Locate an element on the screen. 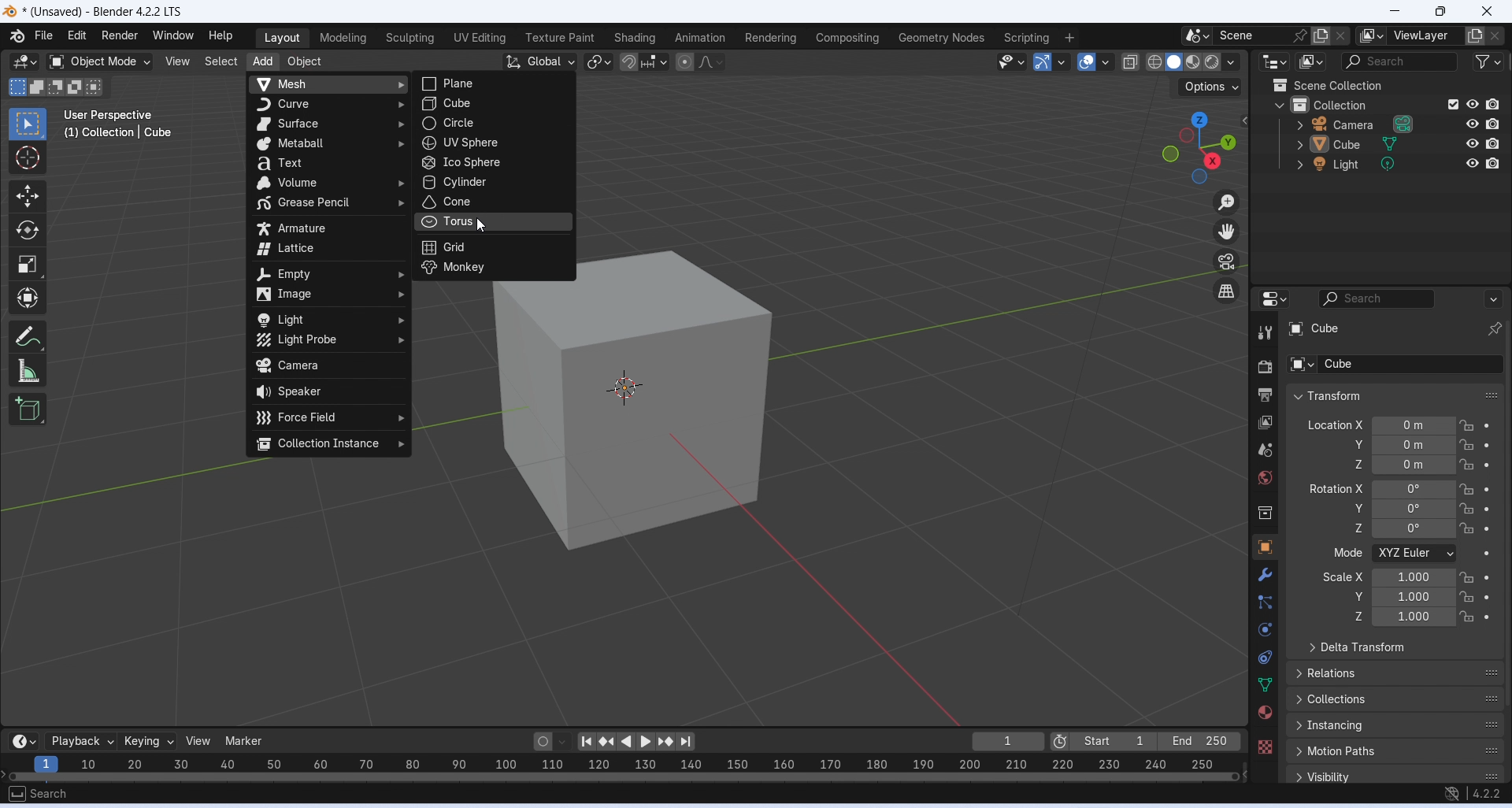 The width and height of the screenshot is (1512, 808). Mode is located at coordinates (1435, 554).